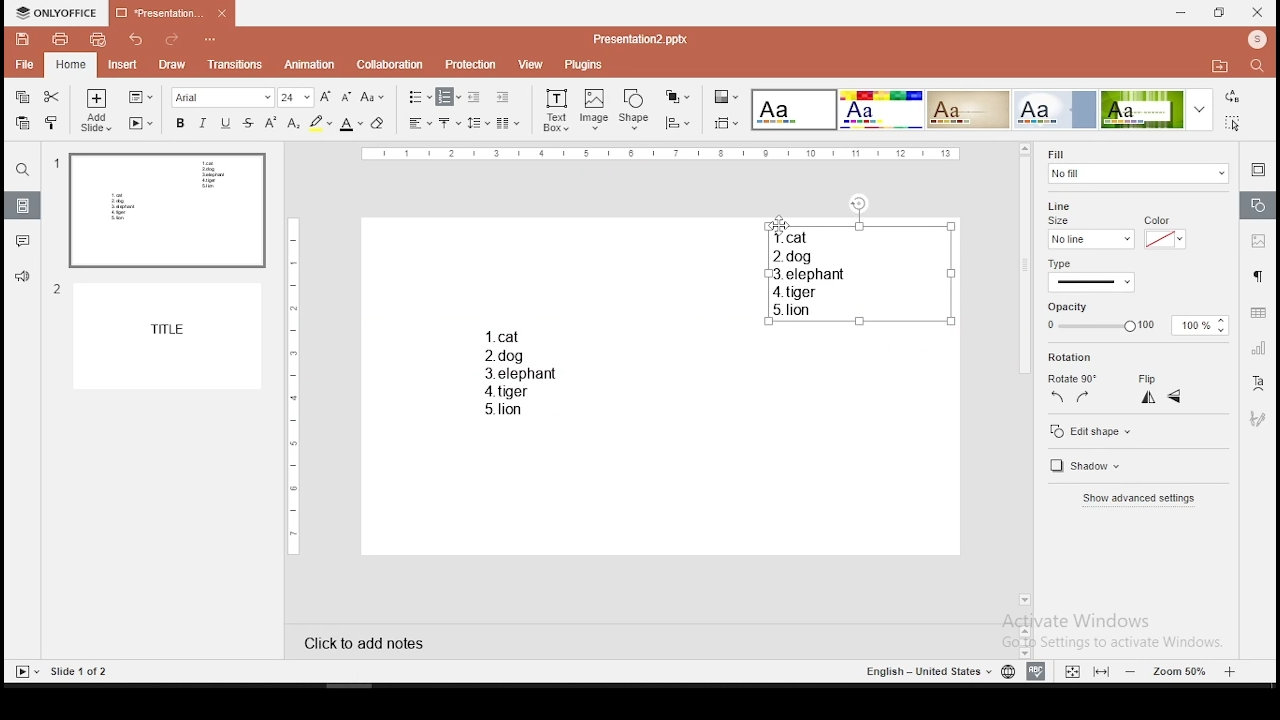  Describe the element at coordinates (173, 42) in the screenshot. I see `redo` at that location.